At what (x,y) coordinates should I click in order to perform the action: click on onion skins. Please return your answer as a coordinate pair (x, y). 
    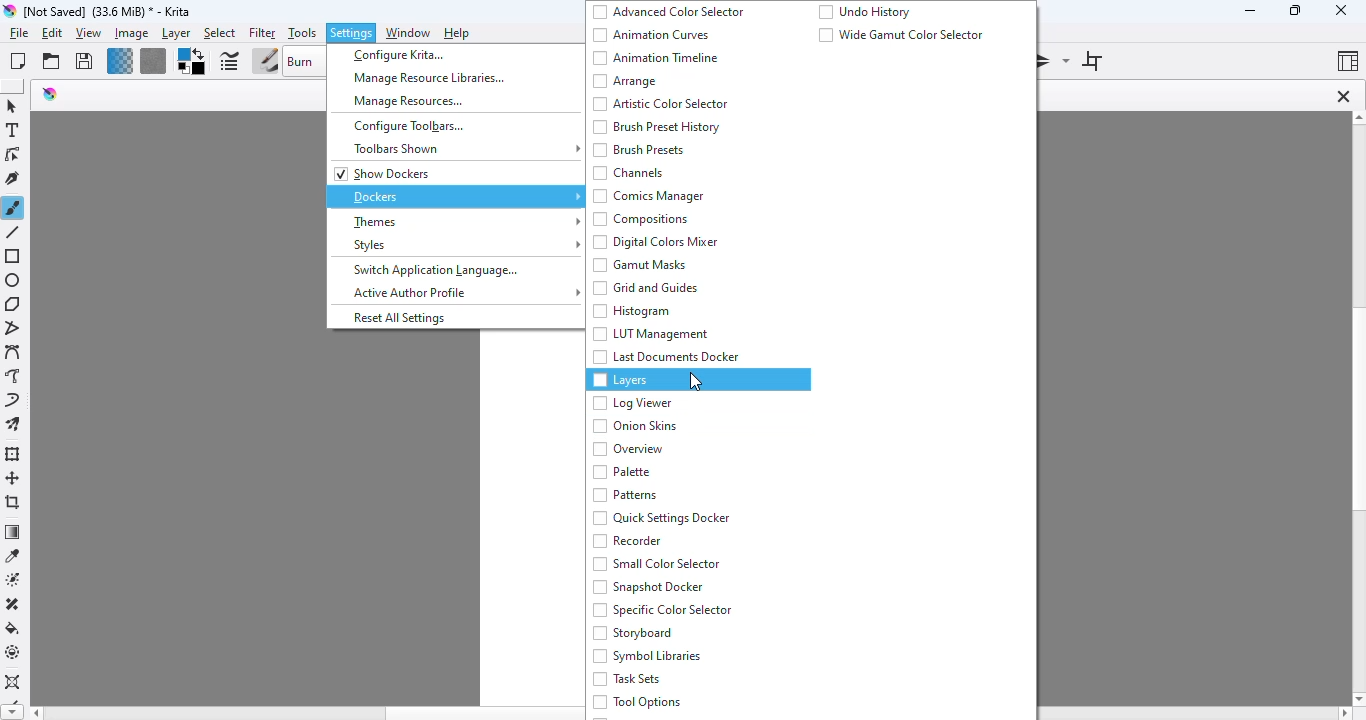
    Looking at the image, I should click on (636, 426).